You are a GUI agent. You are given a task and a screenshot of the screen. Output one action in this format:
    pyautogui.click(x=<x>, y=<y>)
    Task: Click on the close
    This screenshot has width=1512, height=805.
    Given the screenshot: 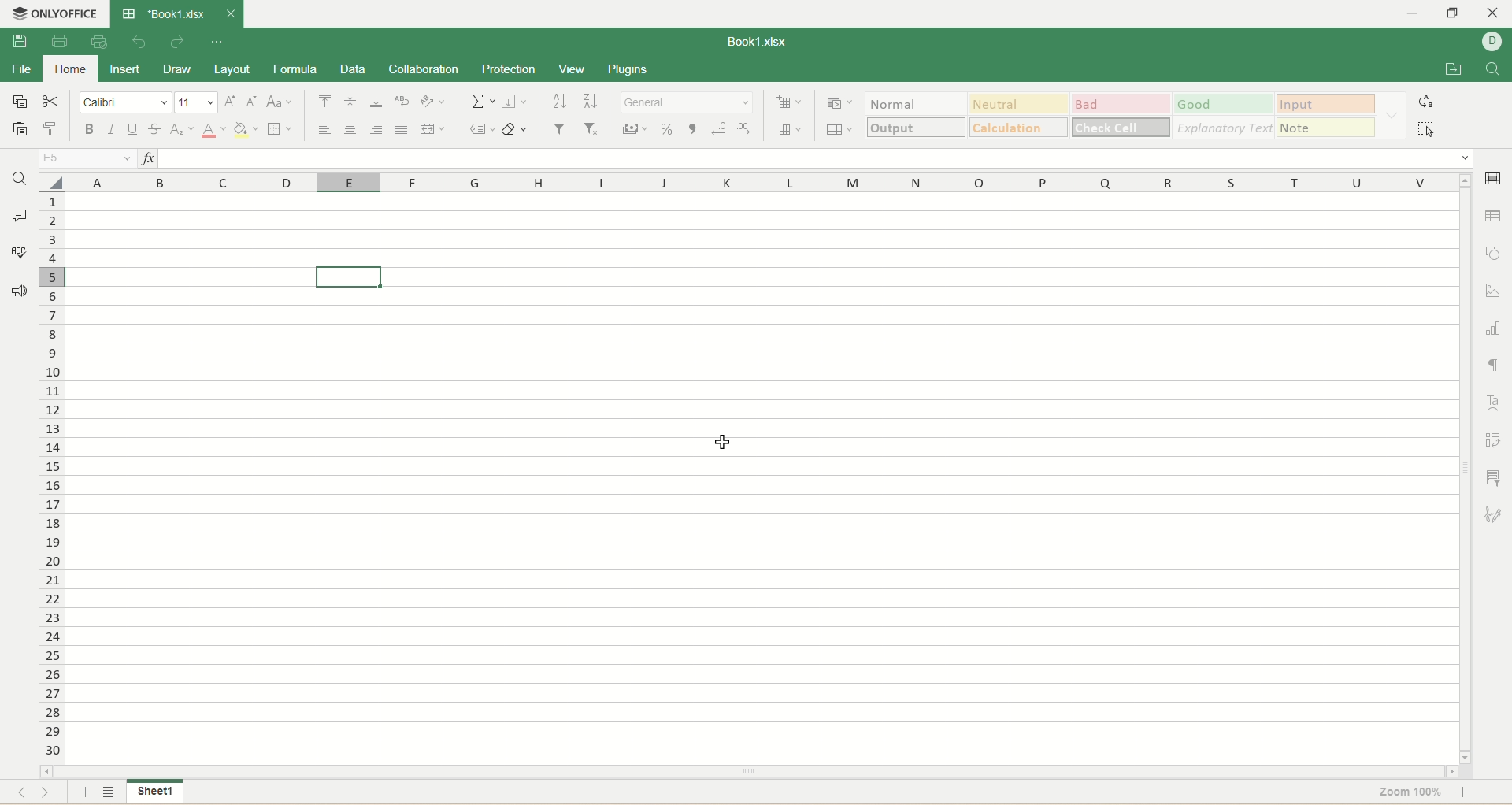 What is the action you would take?
    pyautogui.click(x=1494, y=13)
    